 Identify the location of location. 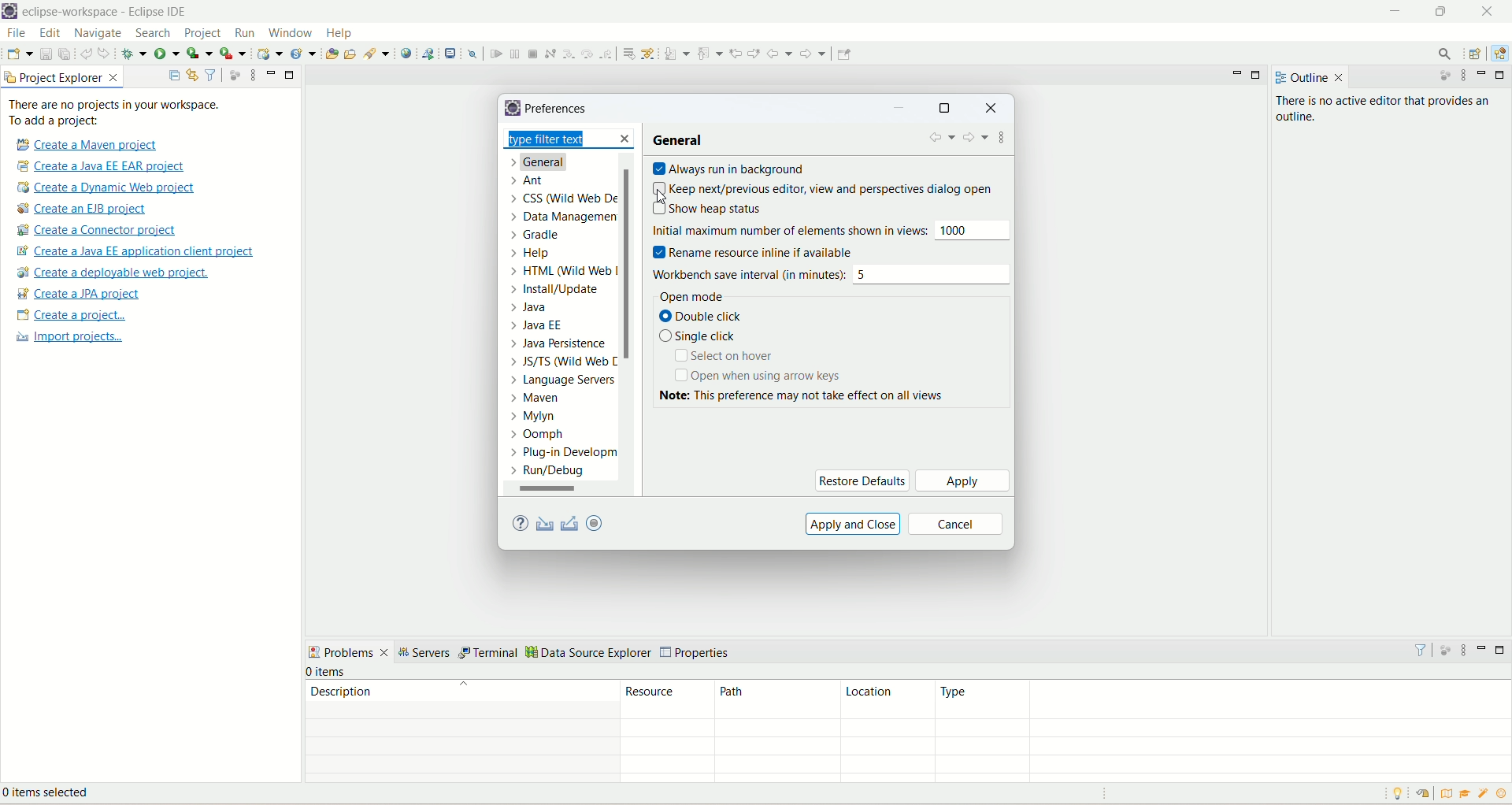
(885, 700).